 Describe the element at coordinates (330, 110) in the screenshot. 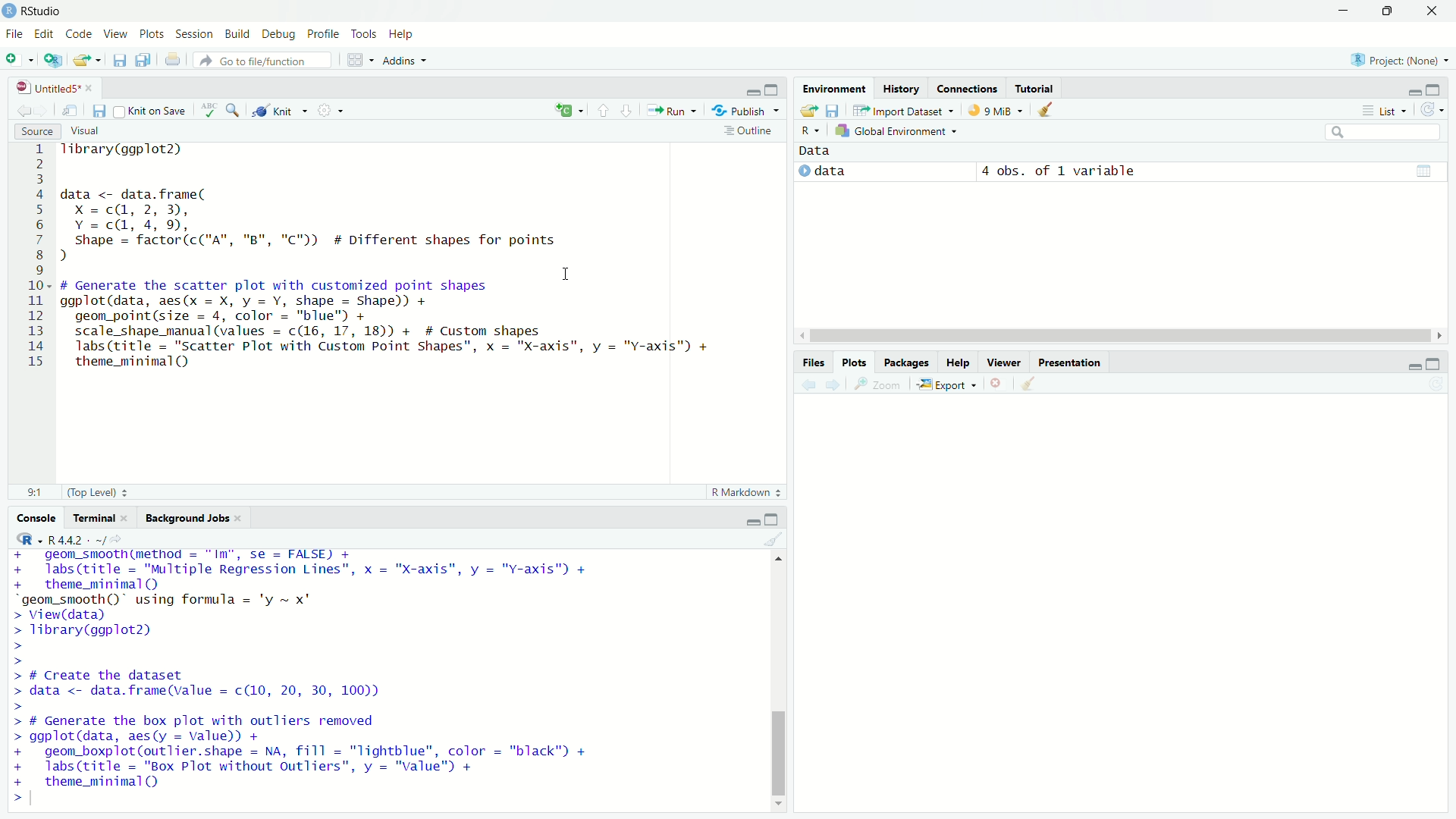

I see `More options` at that location.